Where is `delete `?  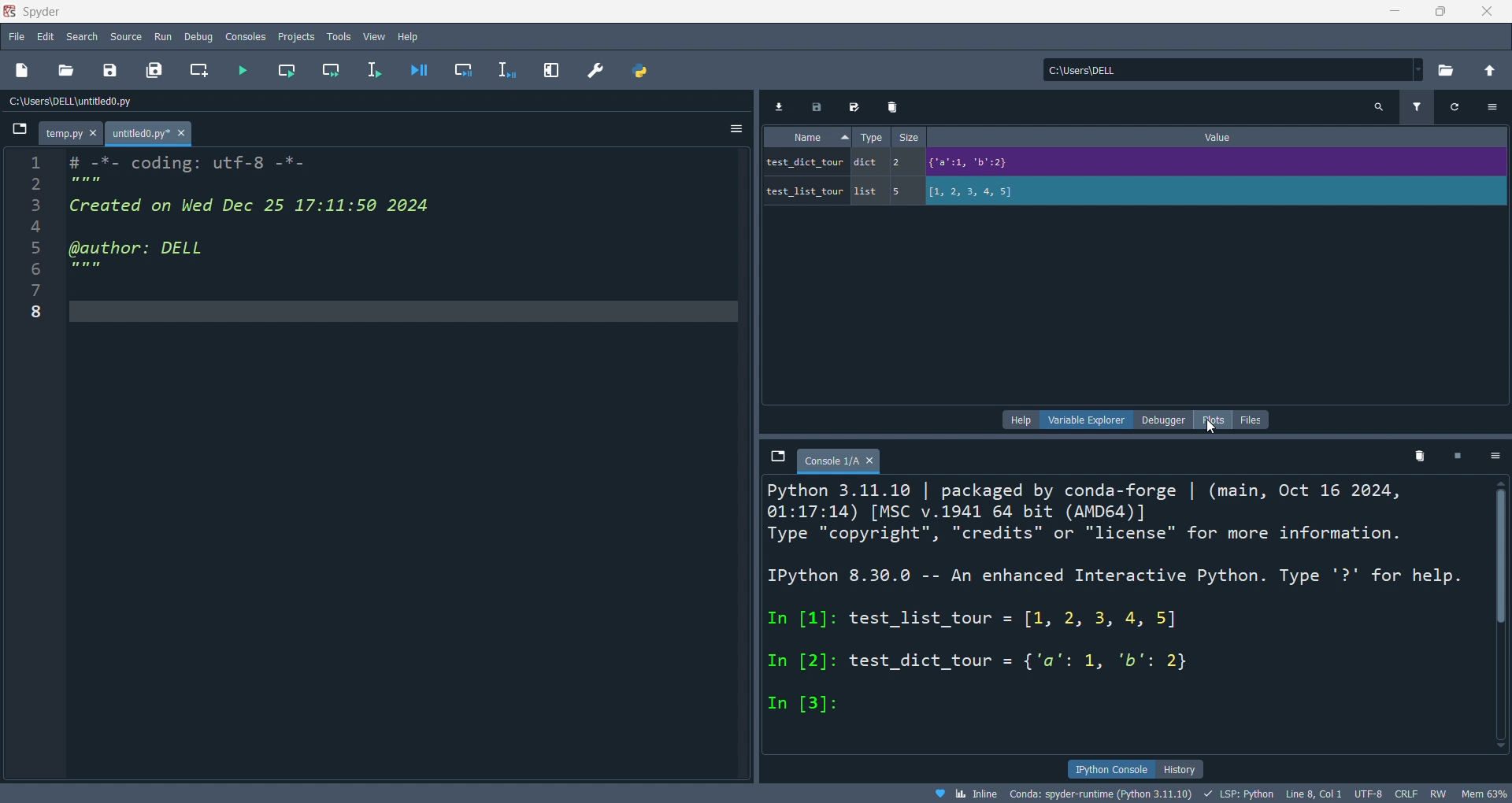
delete  is located at coordinates (1417, 456).